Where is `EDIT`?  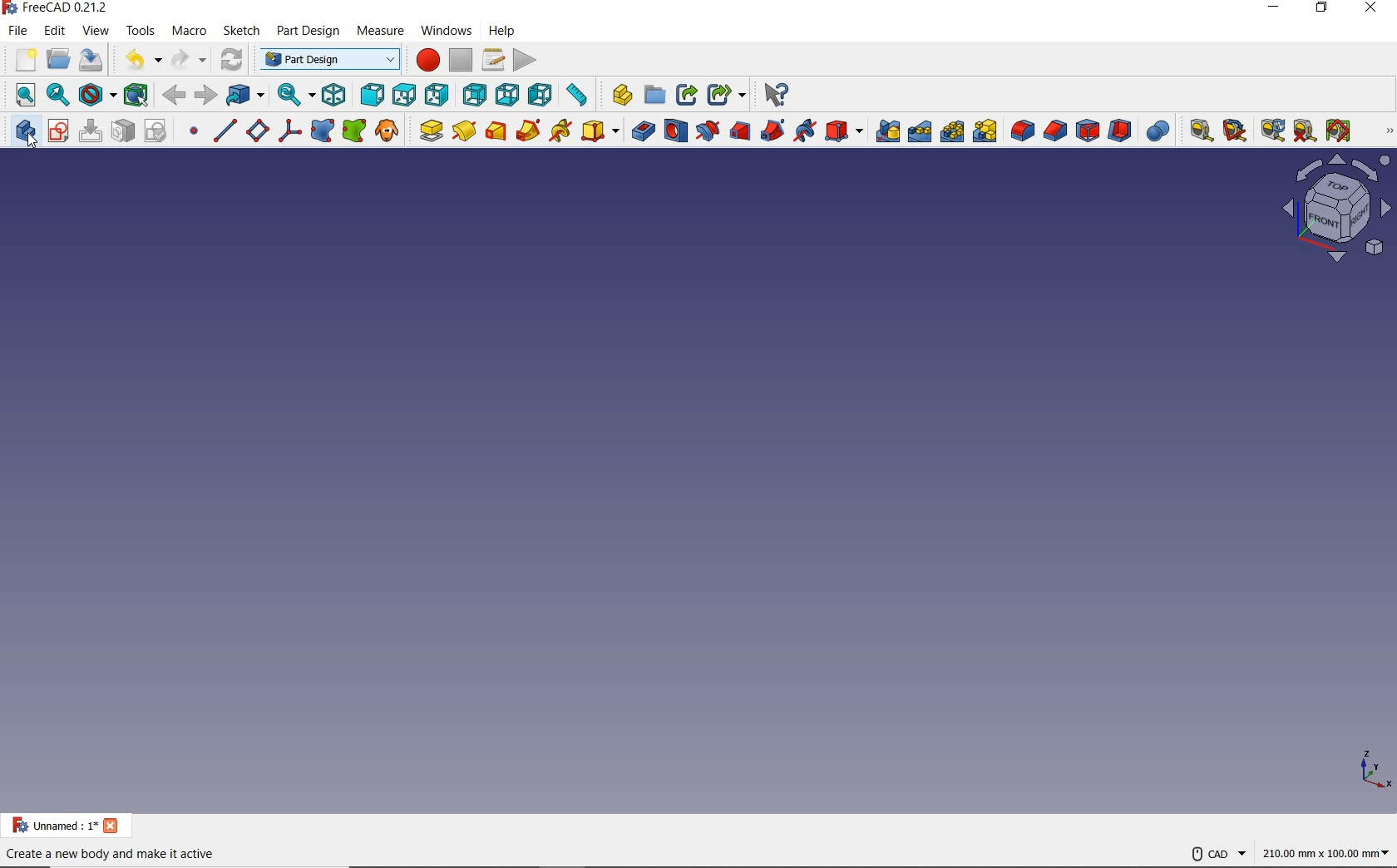 EDIT is located at coordinates (54, 32).